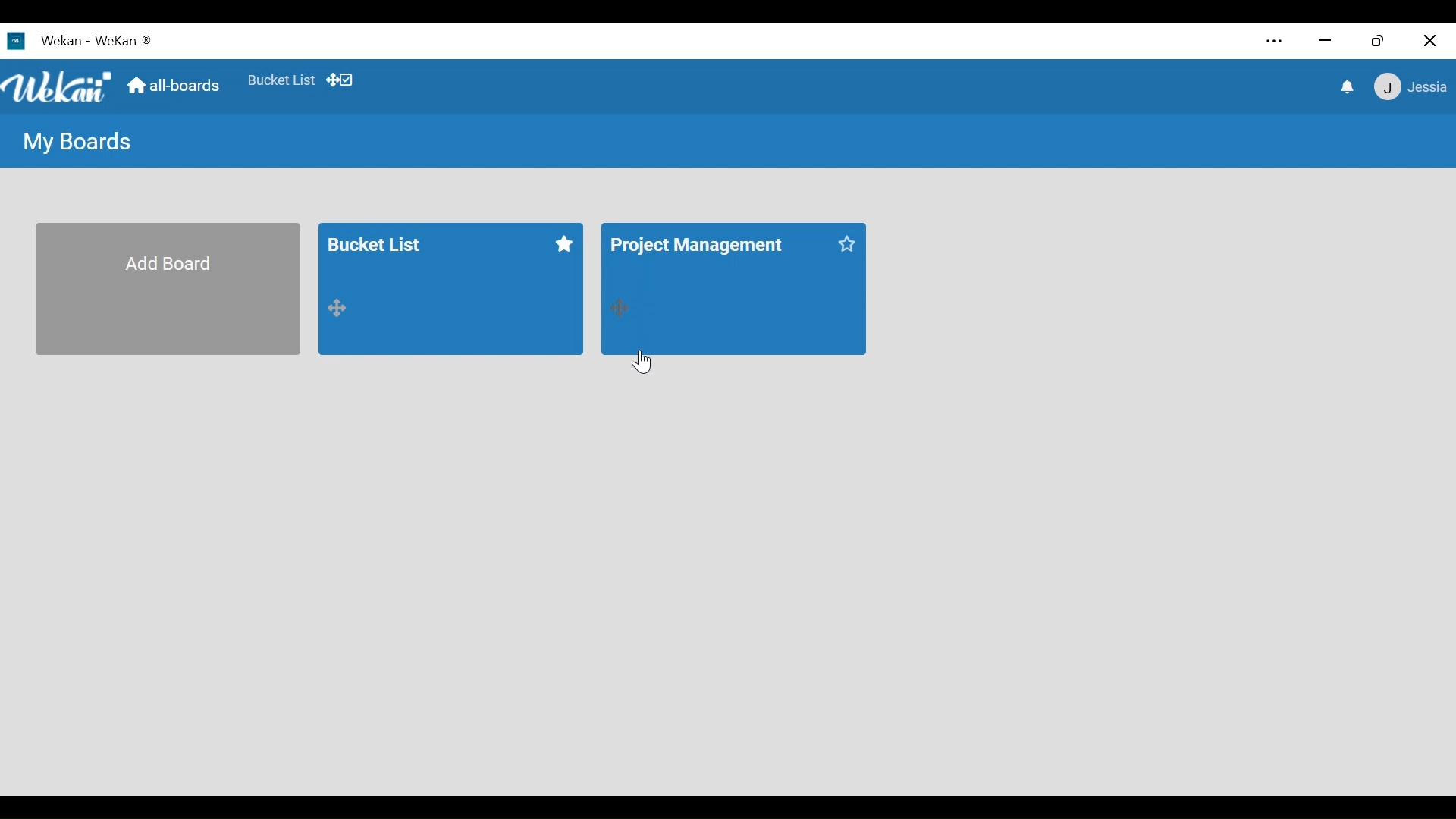  I want to click on close, so click(1427, 40).